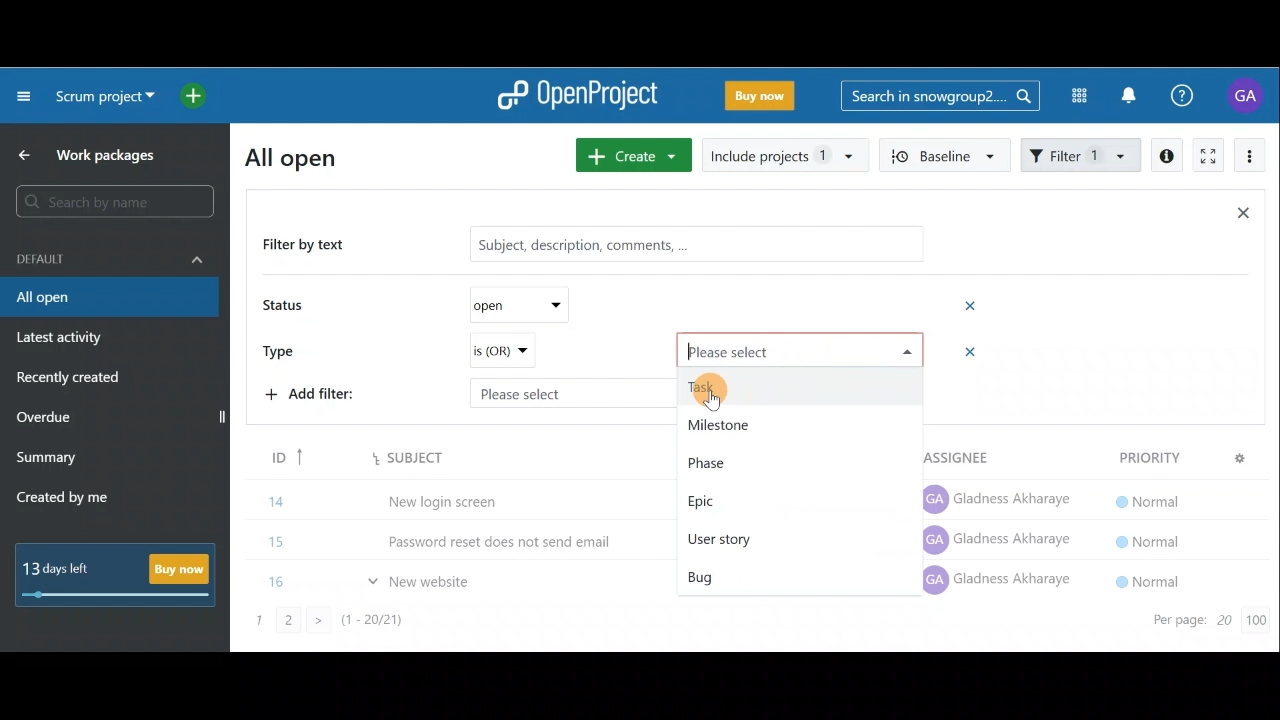 The height and width of the screenshot is (720, 1280). I want to click on Please select, so click(802, 349).